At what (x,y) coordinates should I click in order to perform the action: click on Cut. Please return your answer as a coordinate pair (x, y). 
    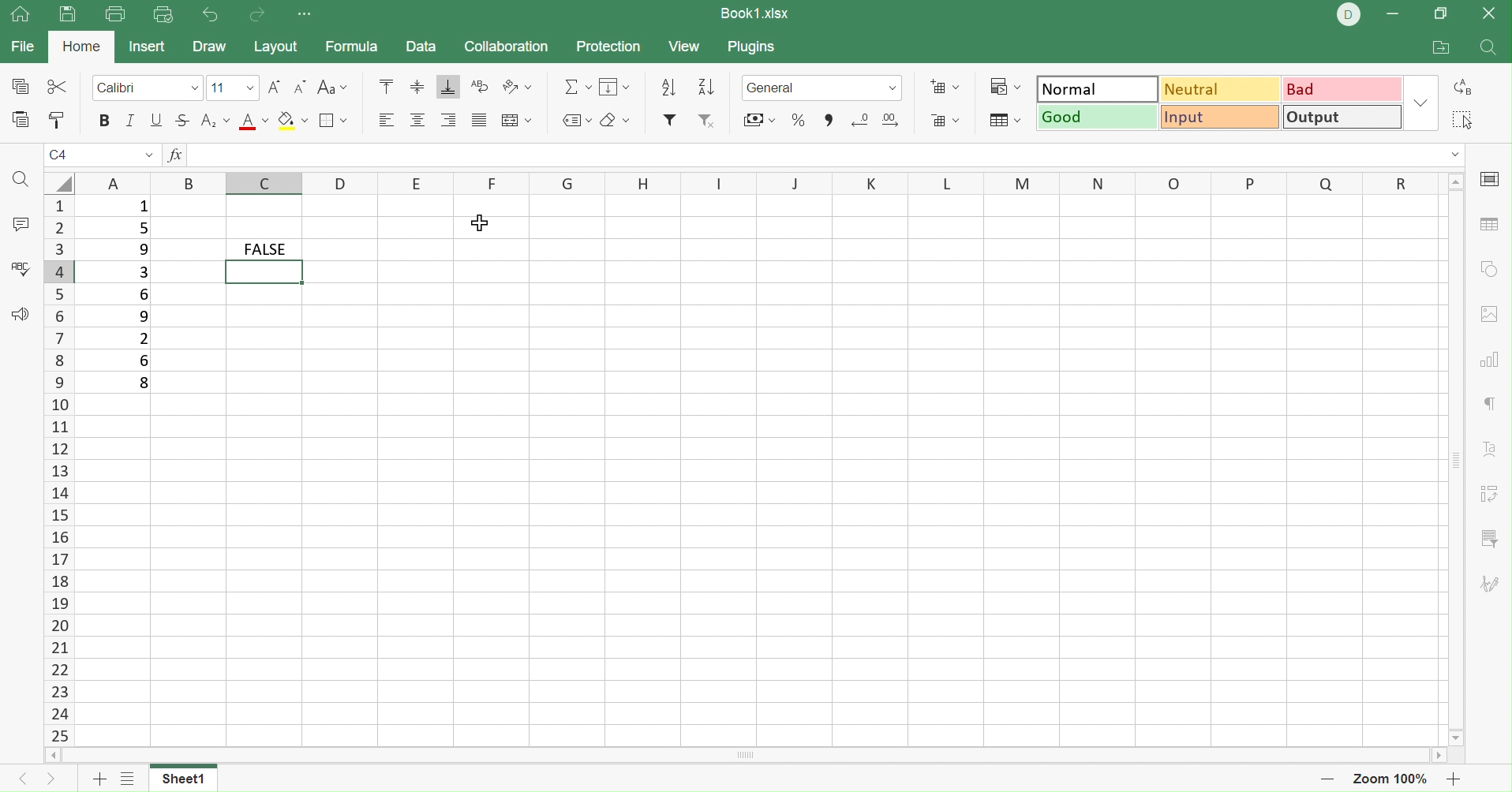
    Looking at the image, I should click on (57, 87).